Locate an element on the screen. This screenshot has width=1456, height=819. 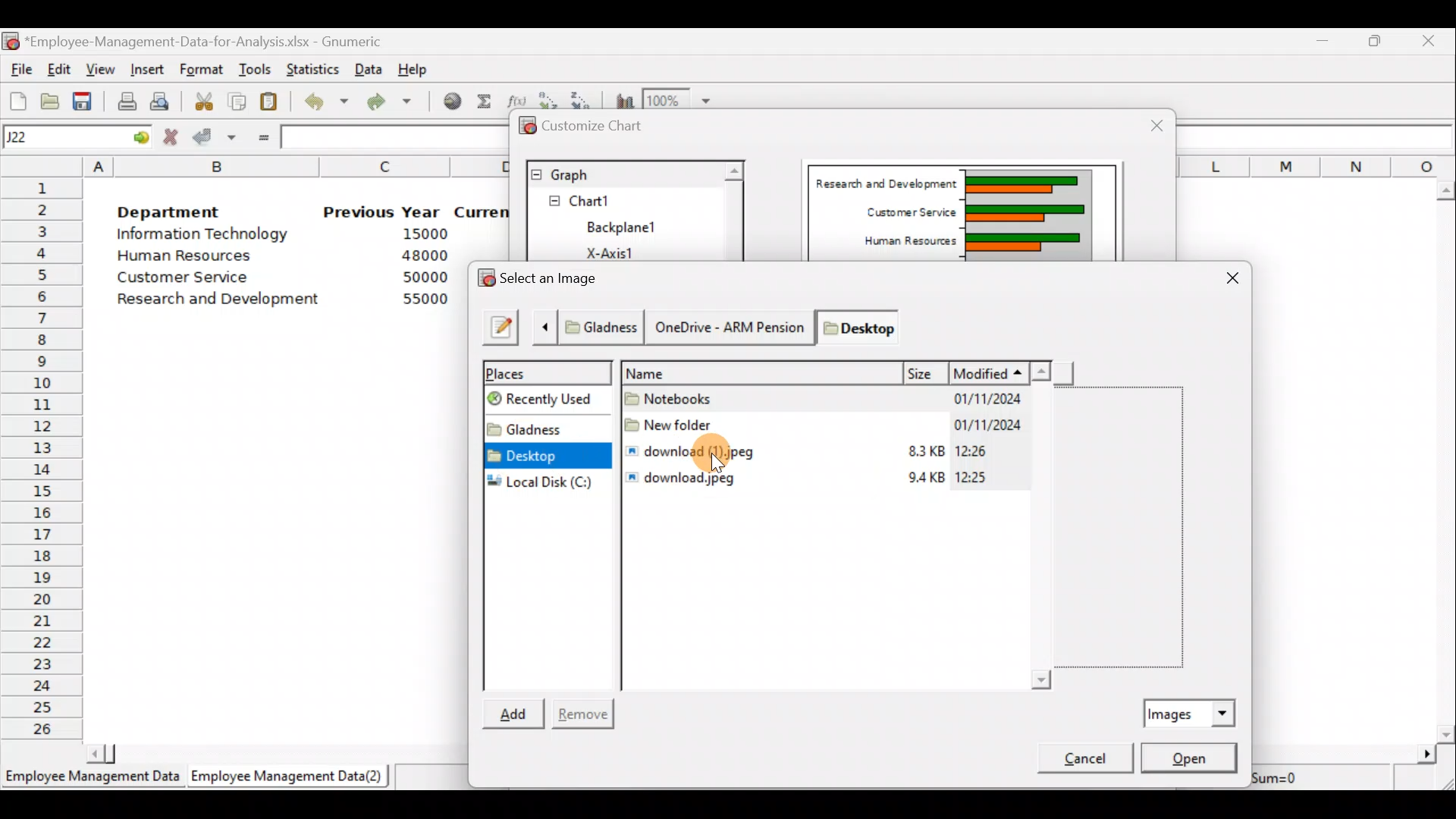
Type a file name is located at coordinates (500, 327).